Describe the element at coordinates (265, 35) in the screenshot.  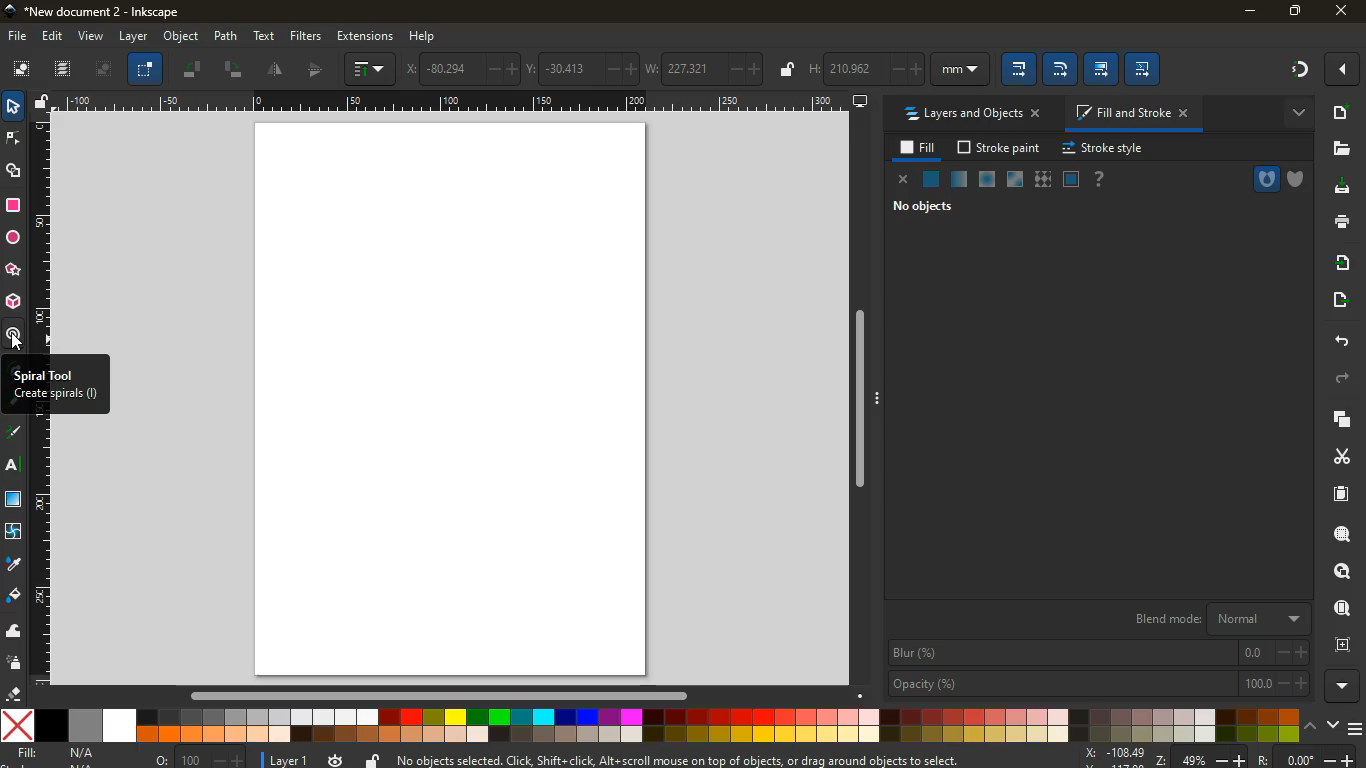
I see `text` at that location.